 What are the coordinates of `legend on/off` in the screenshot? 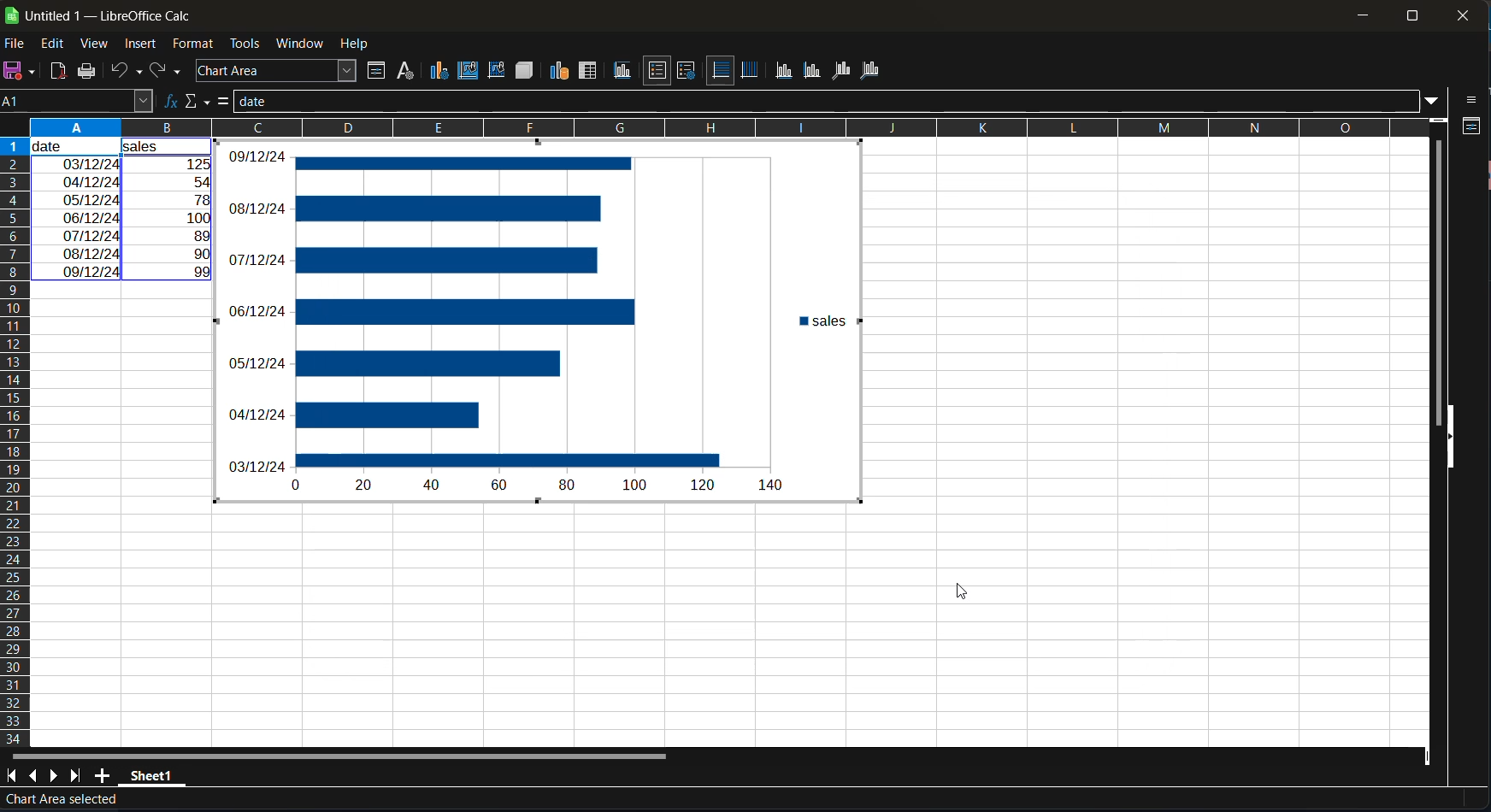 It's located at (659, 71).